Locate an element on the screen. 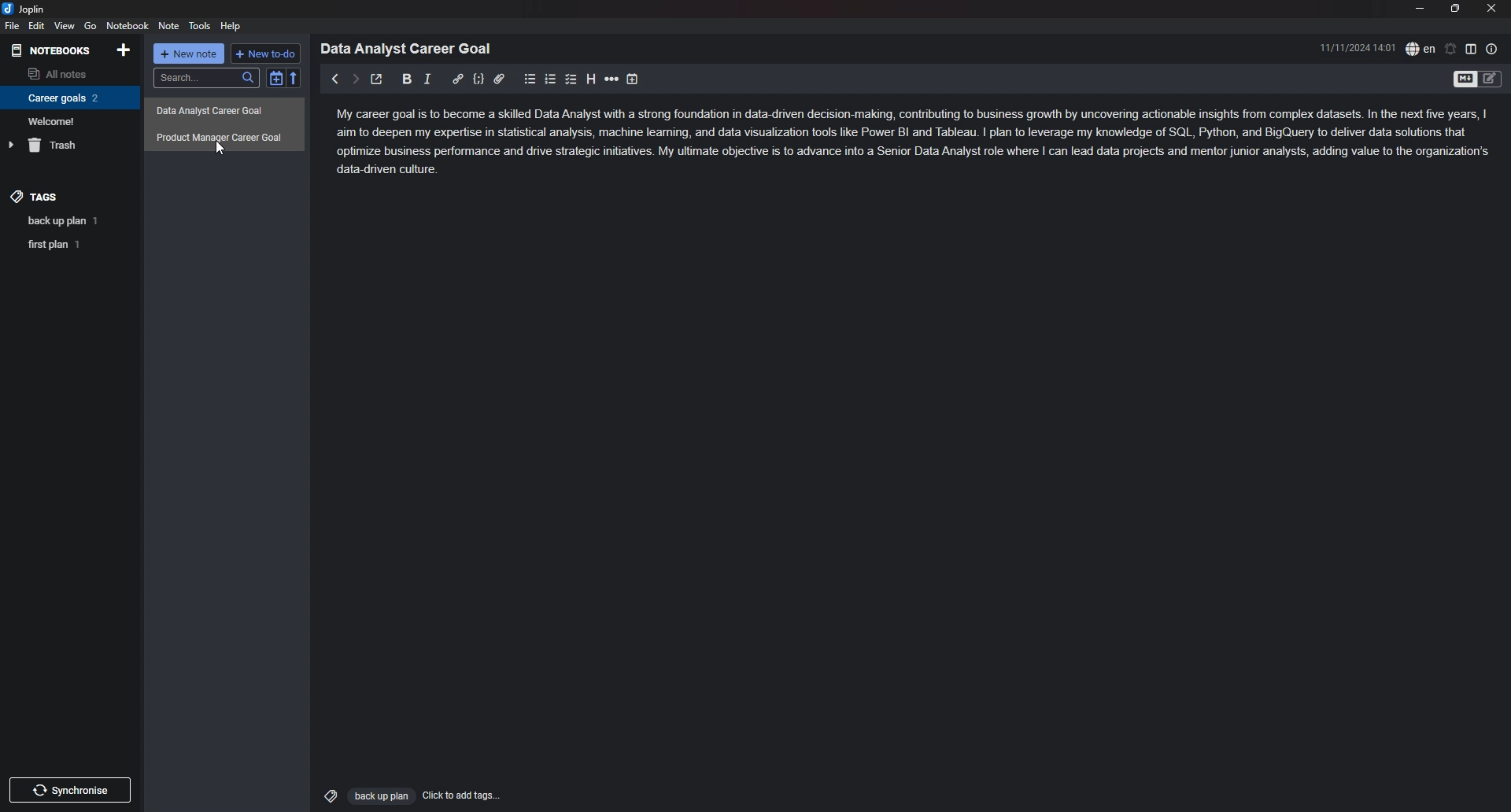  11/11/2024 14:01 is located at coordinates (1358, 47).